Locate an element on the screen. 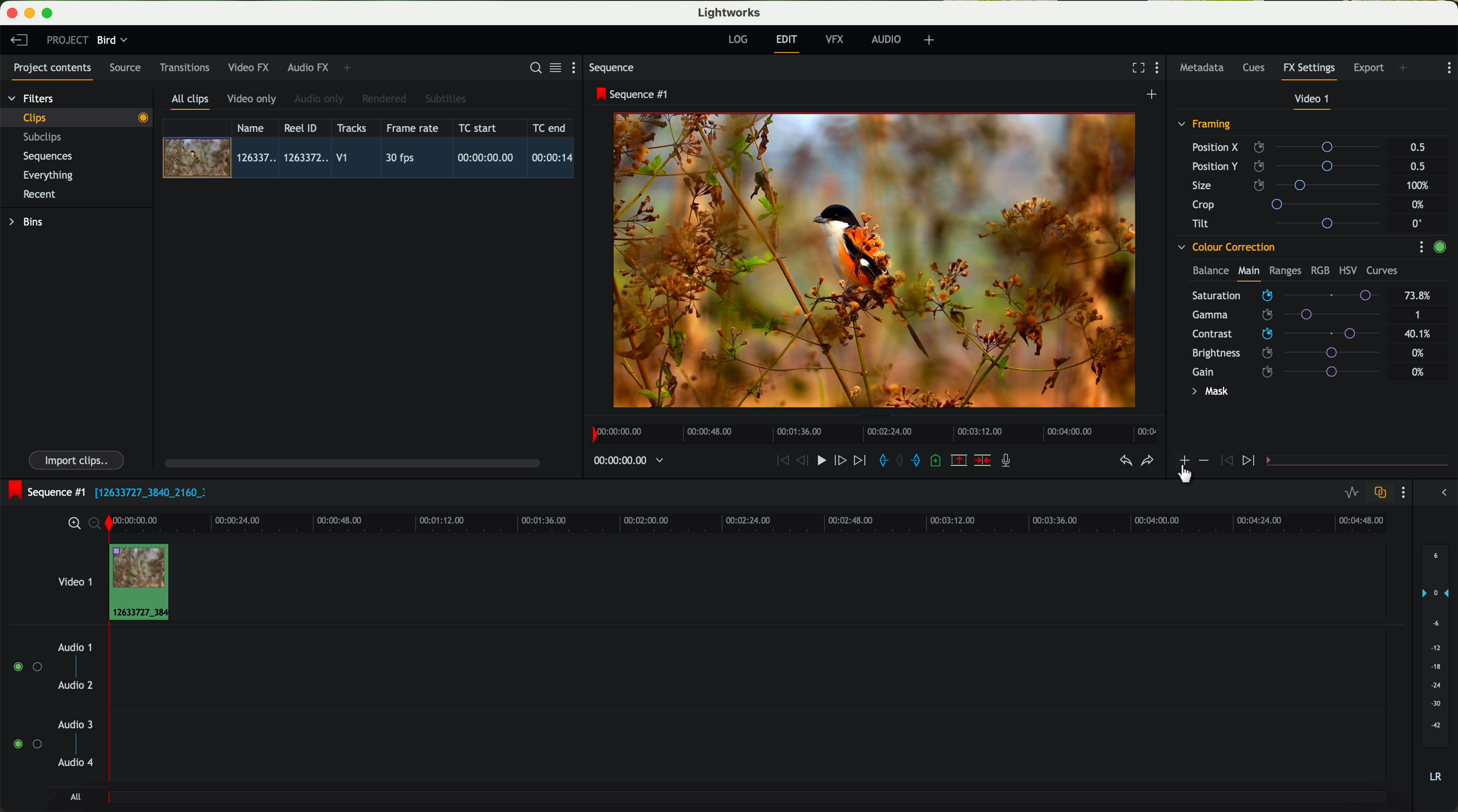  video 1 is located at coordinates (74, 579).